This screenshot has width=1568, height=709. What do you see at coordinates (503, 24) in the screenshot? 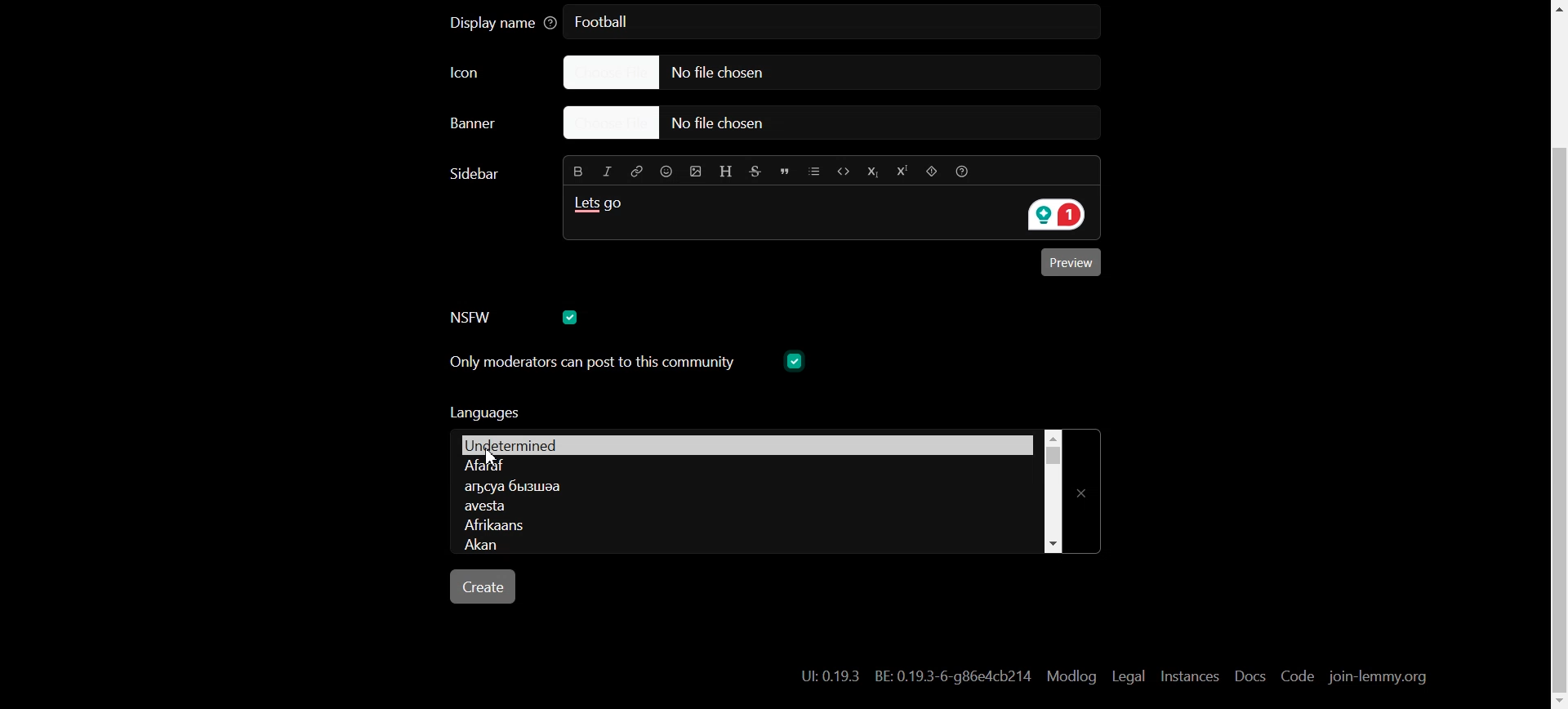
I see `Display name` at bounding box center [503, 24].